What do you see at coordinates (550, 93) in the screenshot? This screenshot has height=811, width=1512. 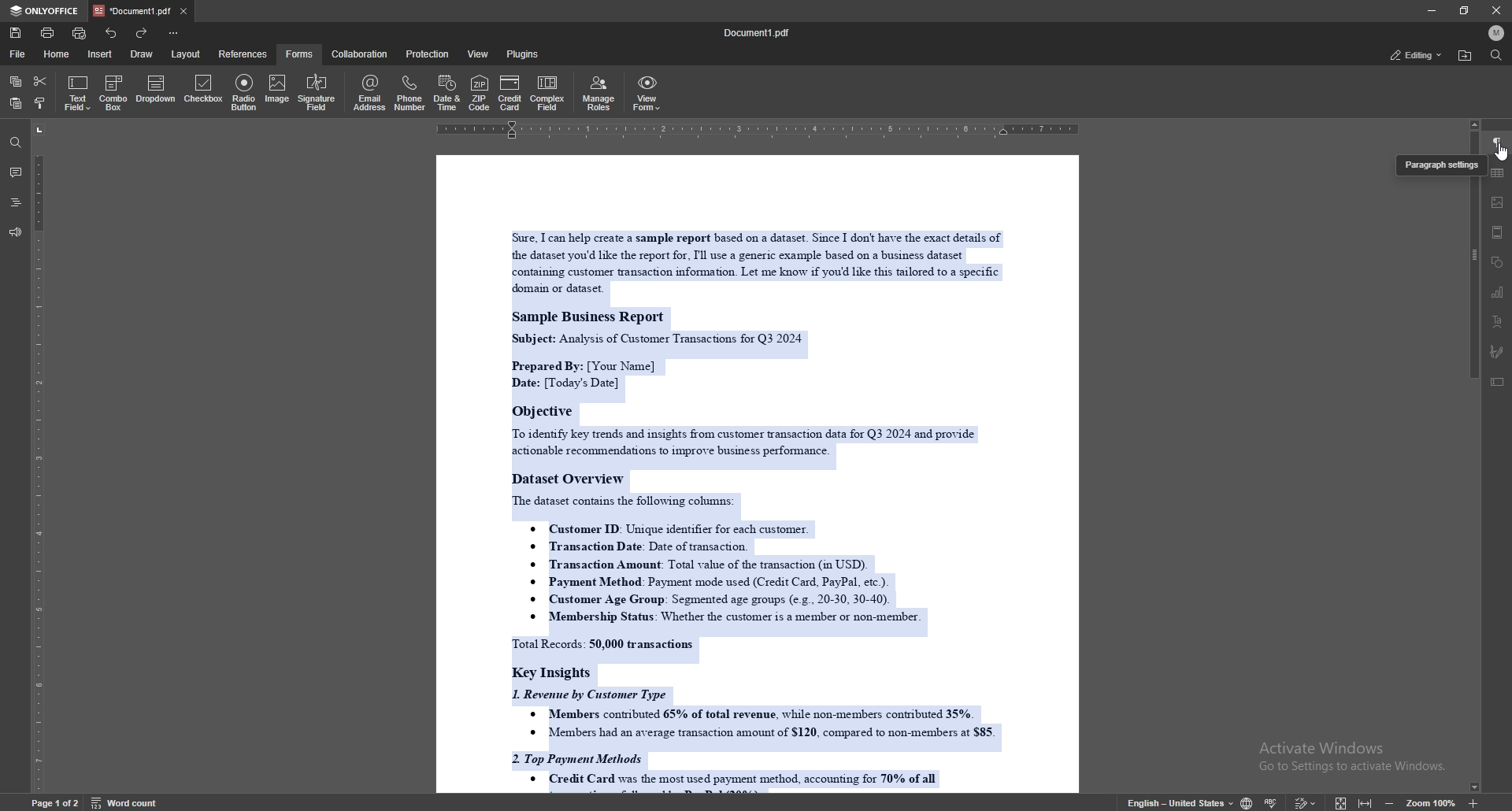 I see `complex field` at bounding box center [550, 93].